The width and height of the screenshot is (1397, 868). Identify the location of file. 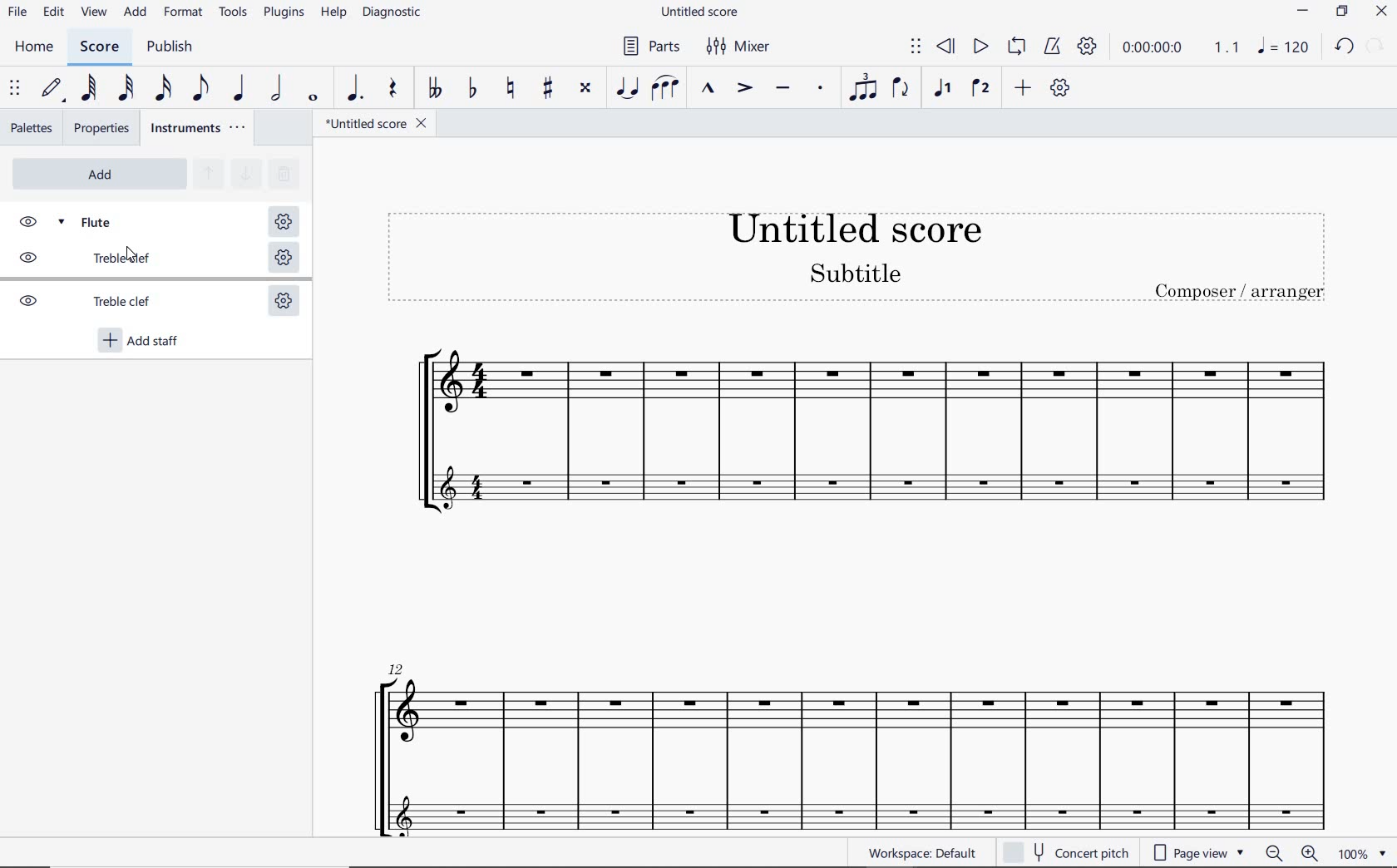
(18, 16).